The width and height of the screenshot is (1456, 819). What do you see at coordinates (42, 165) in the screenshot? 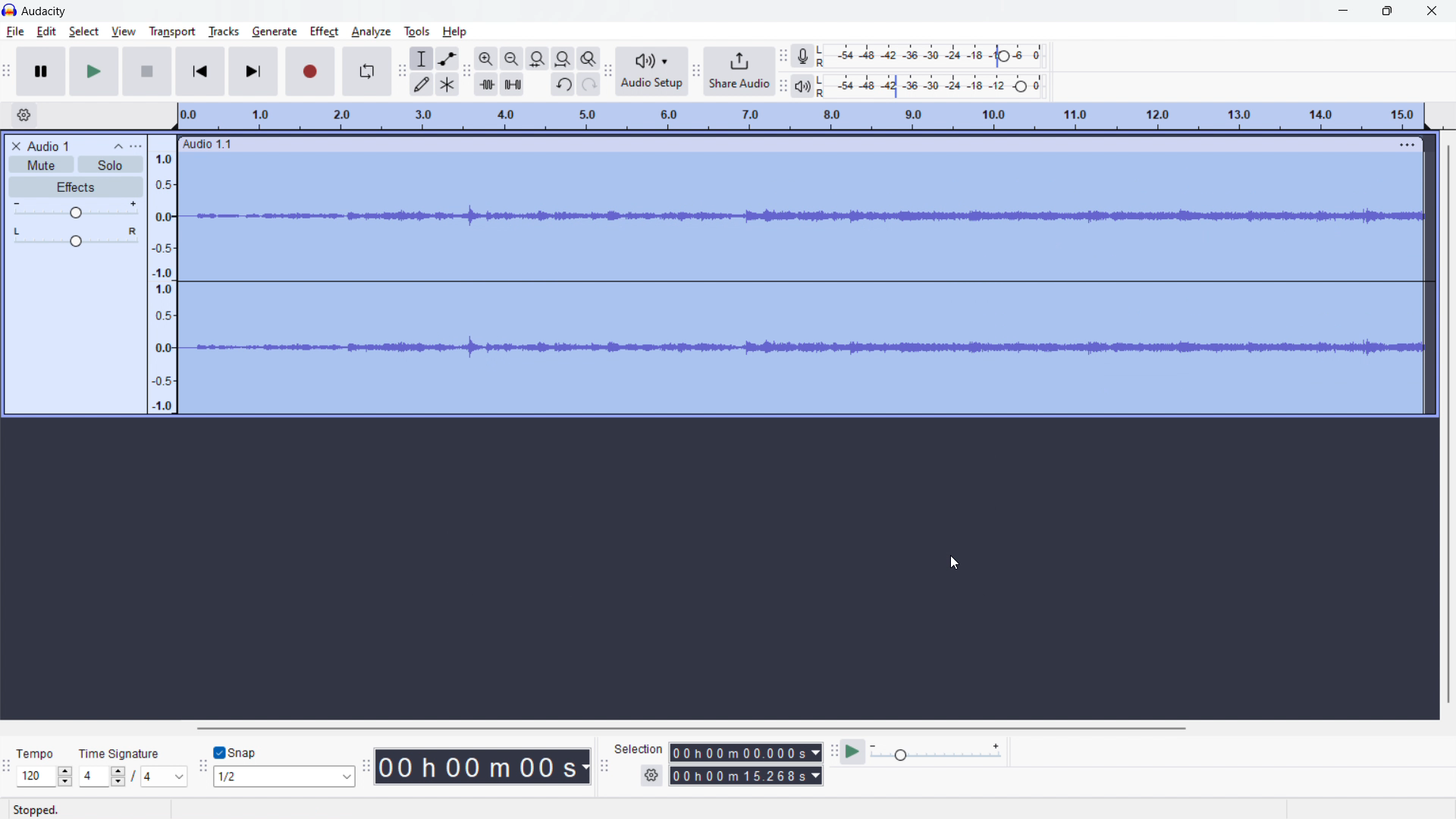
I see `mute` at bounding box center [42, 165].